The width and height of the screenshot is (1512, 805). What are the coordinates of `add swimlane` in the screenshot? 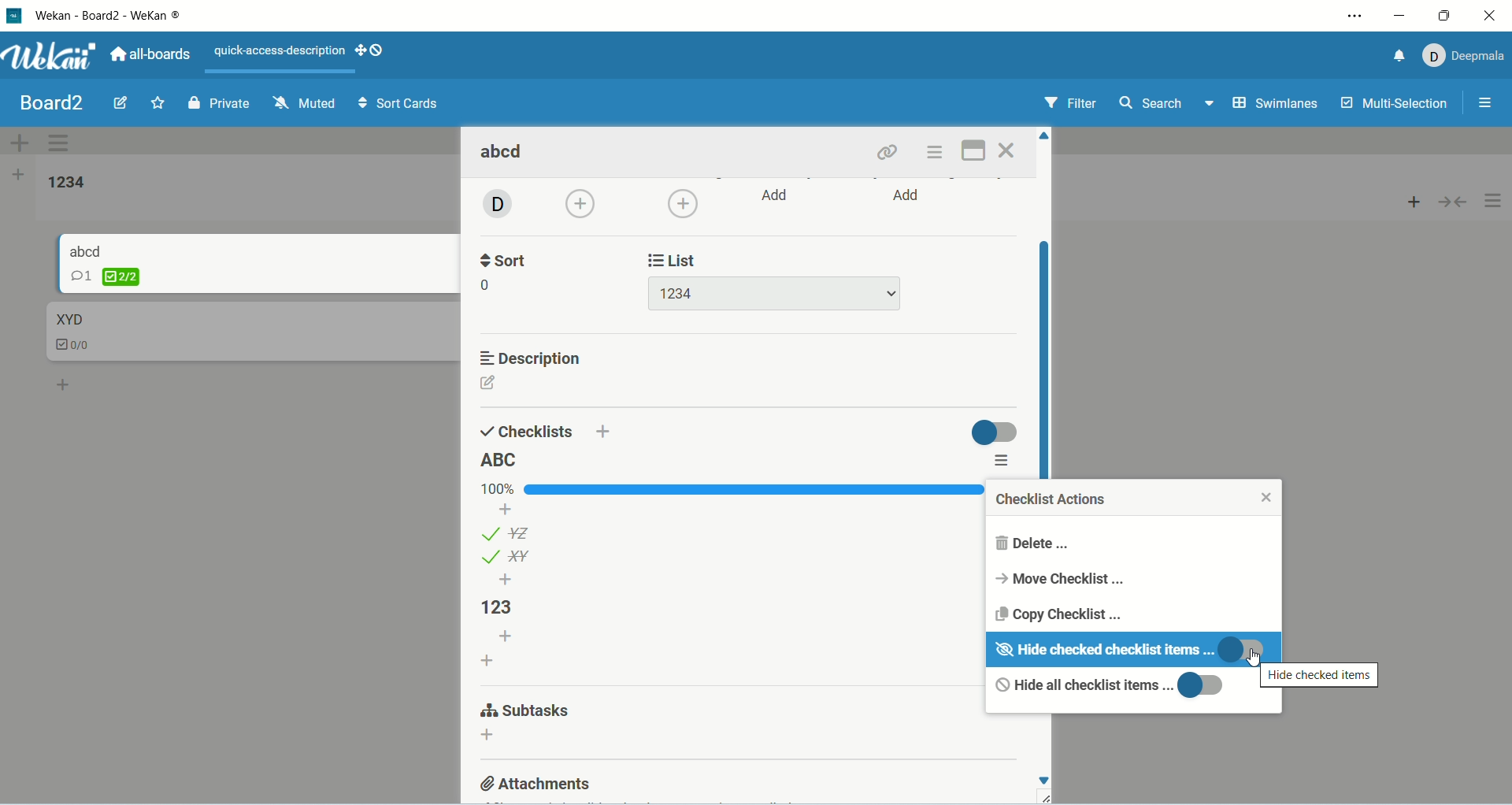 It's located at (16, 139).